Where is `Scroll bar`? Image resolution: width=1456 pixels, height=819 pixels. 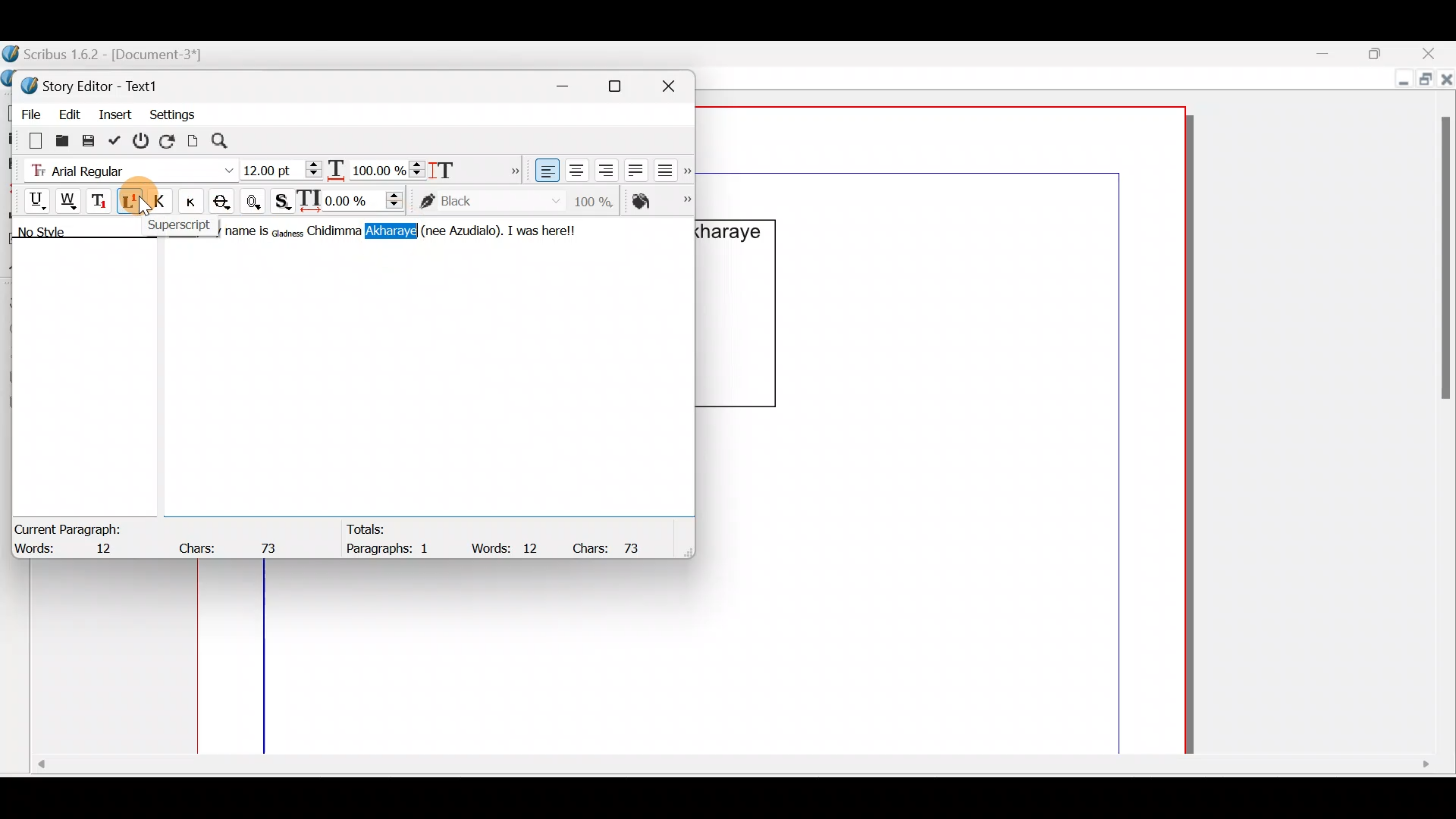
Scroll bar is located at coordinates (730, 770).